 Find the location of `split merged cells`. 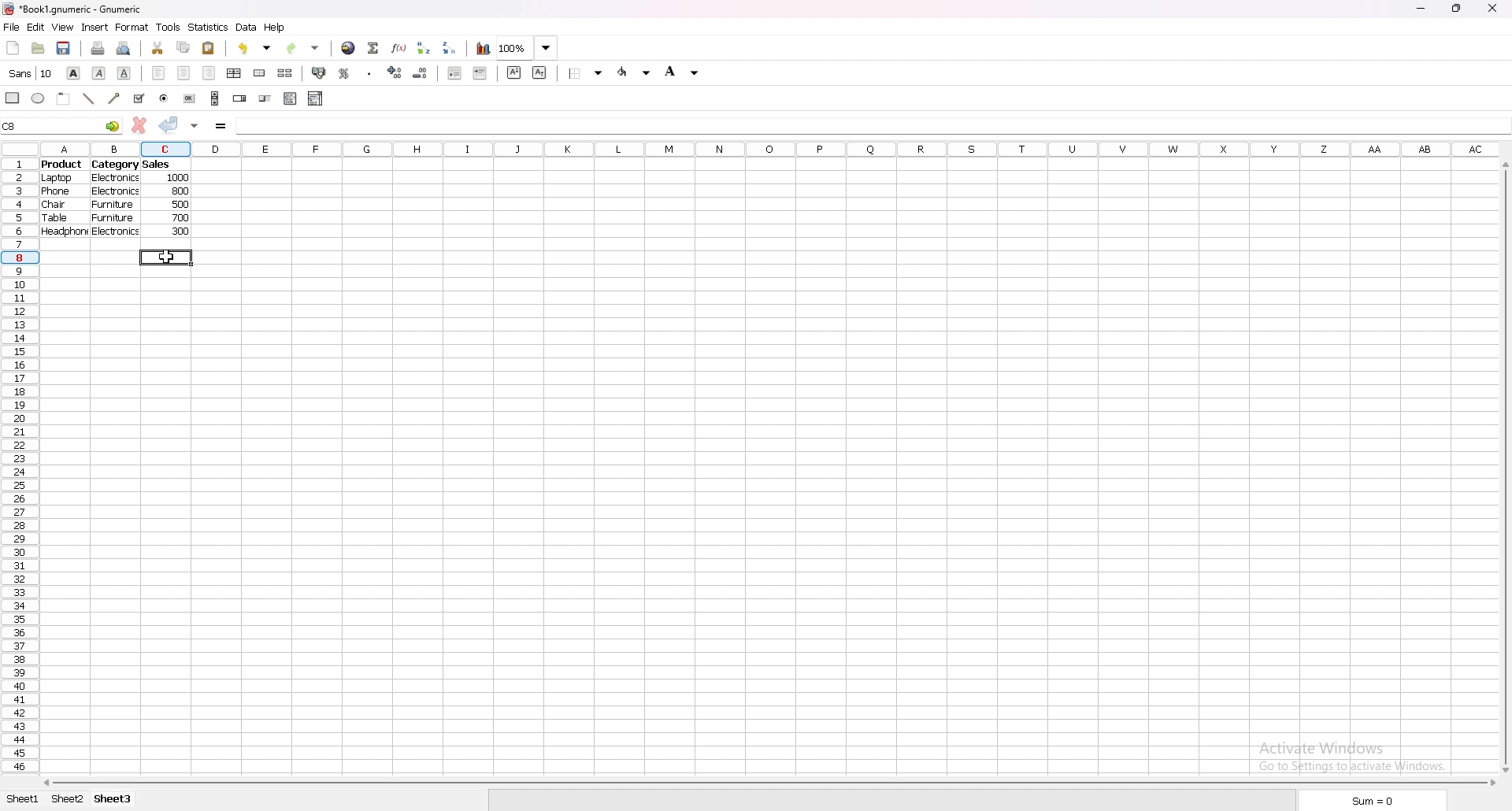

split merged cells is located at coordinates (286, 73).